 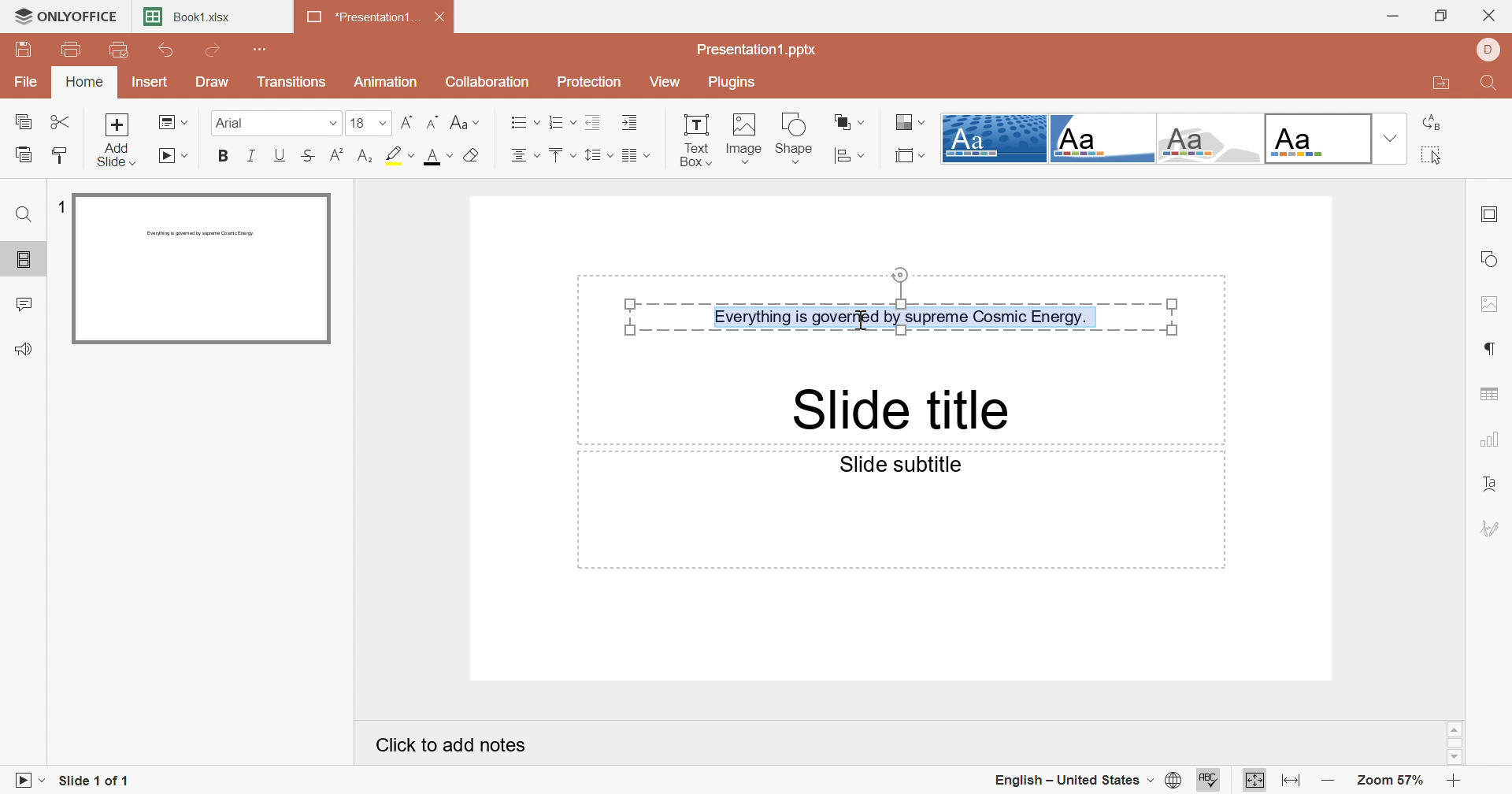 I want to click on Official, so click(x=1318, y=139).